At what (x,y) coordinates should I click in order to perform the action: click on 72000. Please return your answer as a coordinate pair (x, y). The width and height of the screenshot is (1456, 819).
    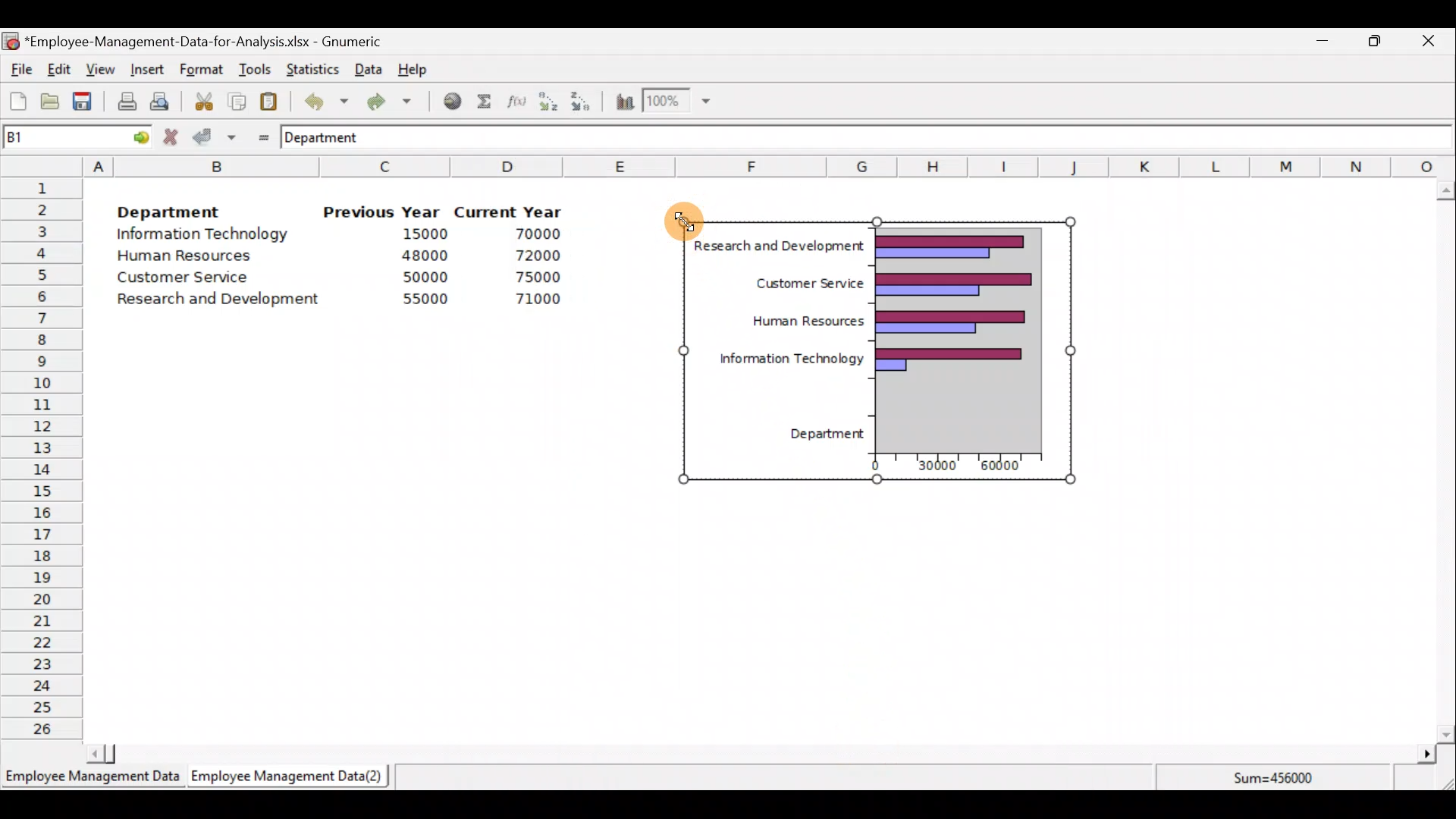
    Looking at the image, I should click on (529, 256).